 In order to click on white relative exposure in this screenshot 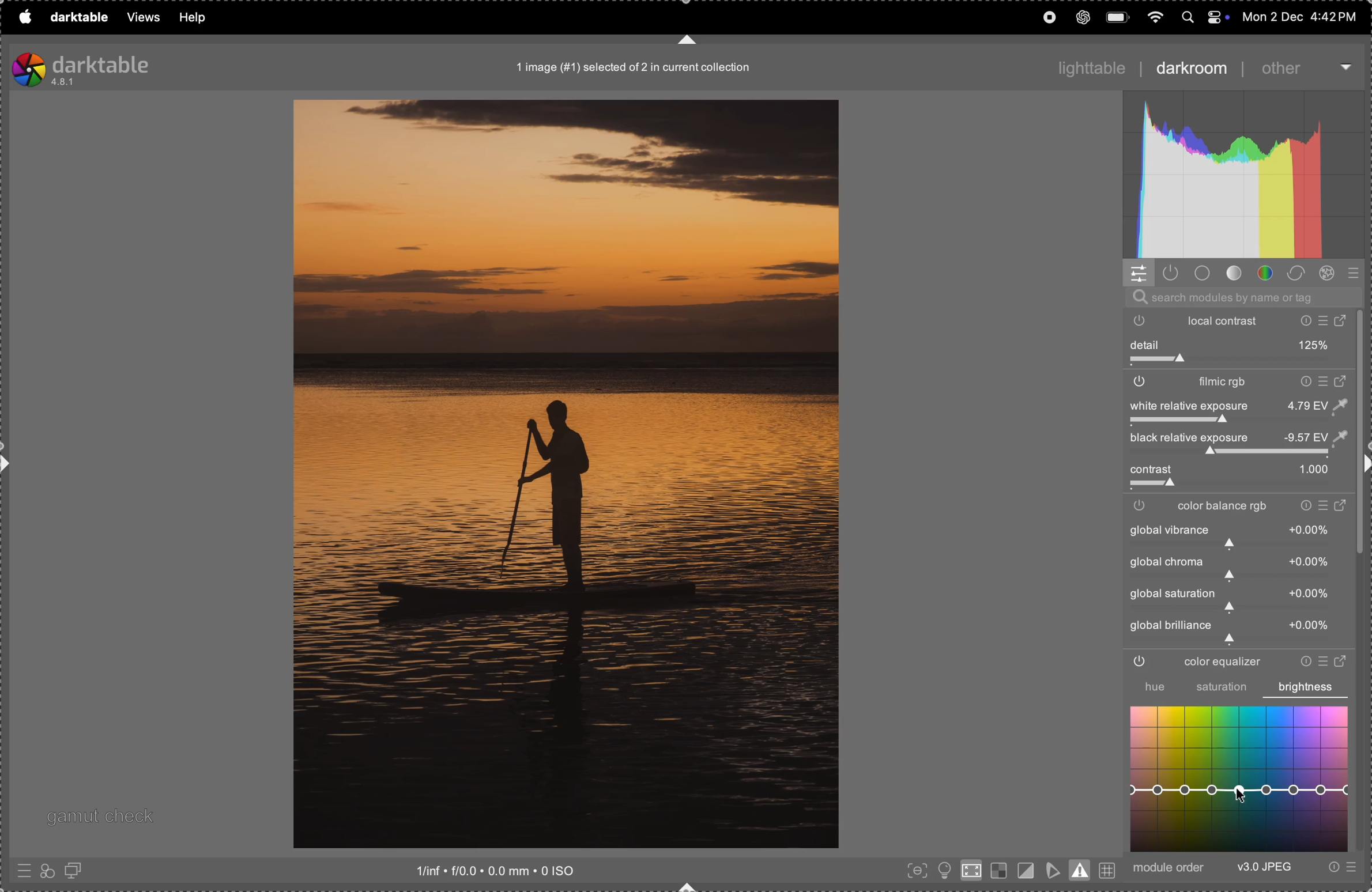, I will do `click(1237, 405)`.